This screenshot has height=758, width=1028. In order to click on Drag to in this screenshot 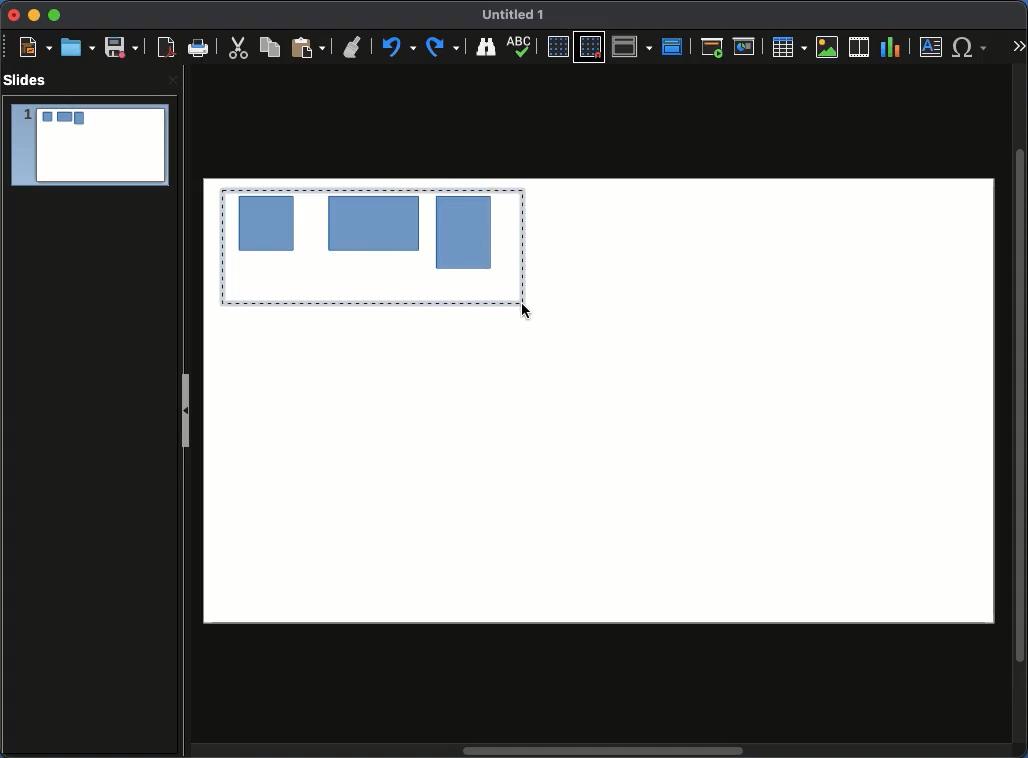, I will do `click(370, 248)`.